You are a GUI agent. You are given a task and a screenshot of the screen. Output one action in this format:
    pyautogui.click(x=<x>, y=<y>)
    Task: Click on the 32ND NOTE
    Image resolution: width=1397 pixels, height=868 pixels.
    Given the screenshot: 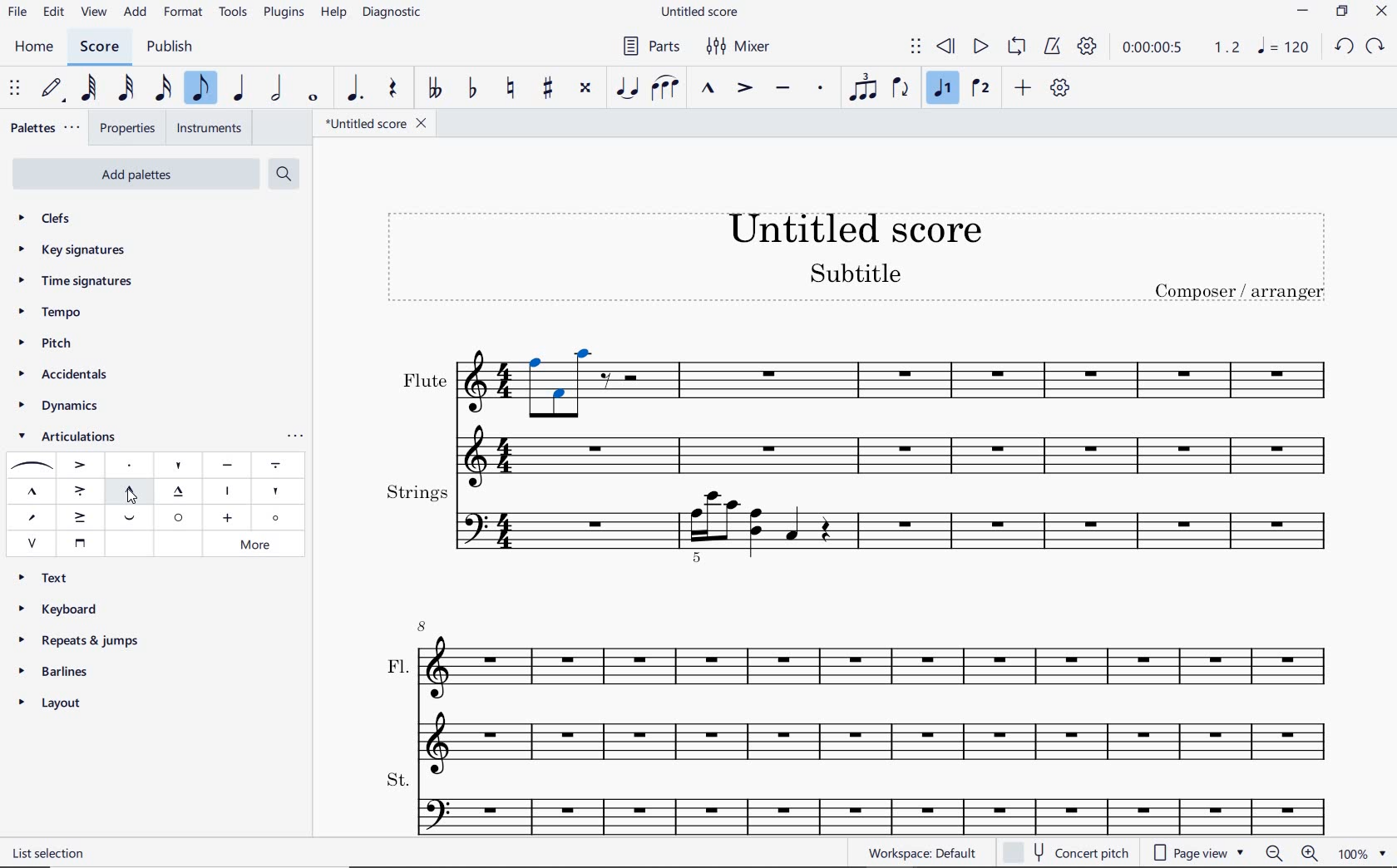 What is the action you would take?
    pyautogui.click(x=124, y=91)
    